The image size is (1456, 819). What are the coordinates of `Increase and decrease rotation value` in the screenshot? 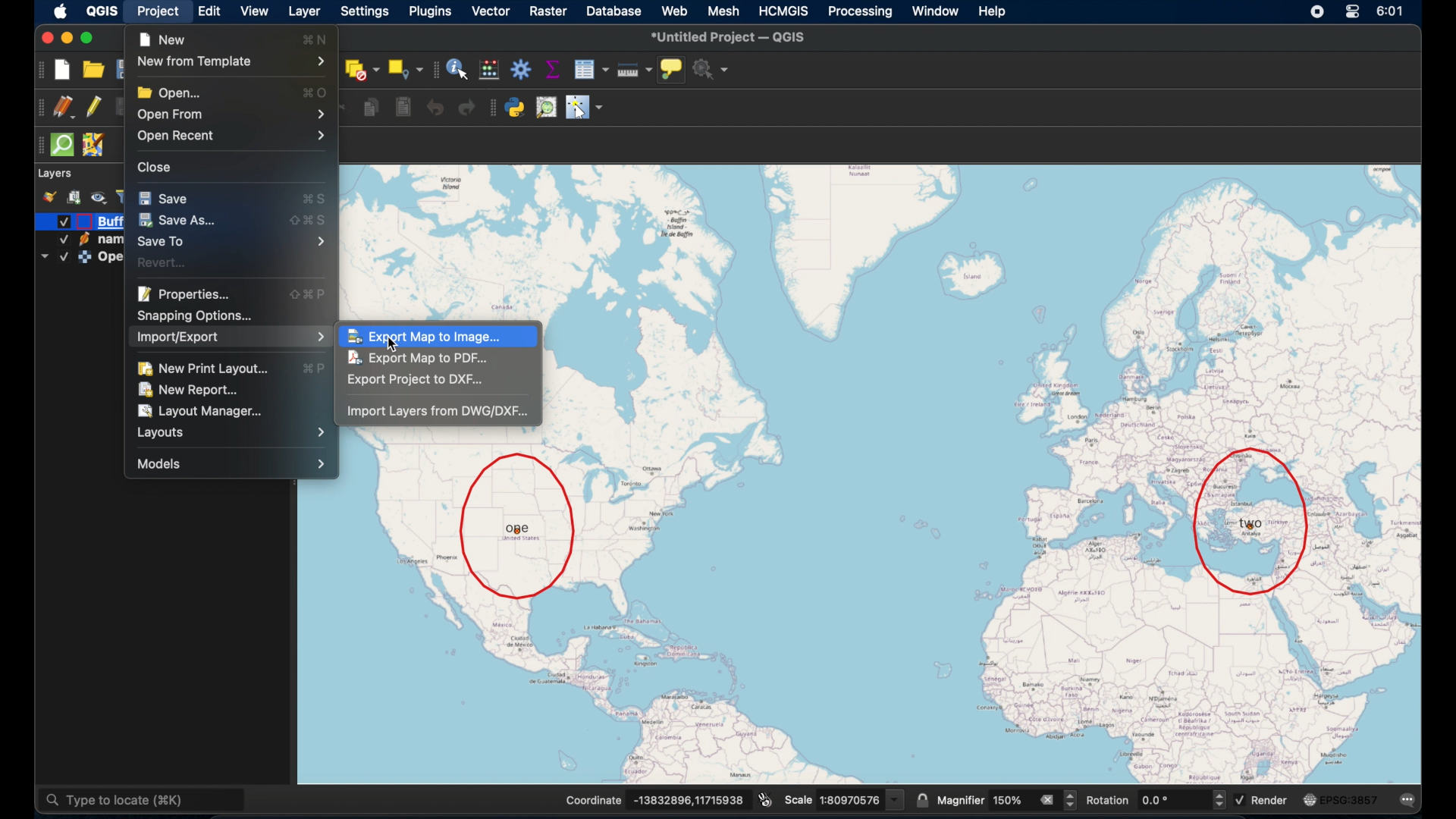 It's located at (1218, 802).